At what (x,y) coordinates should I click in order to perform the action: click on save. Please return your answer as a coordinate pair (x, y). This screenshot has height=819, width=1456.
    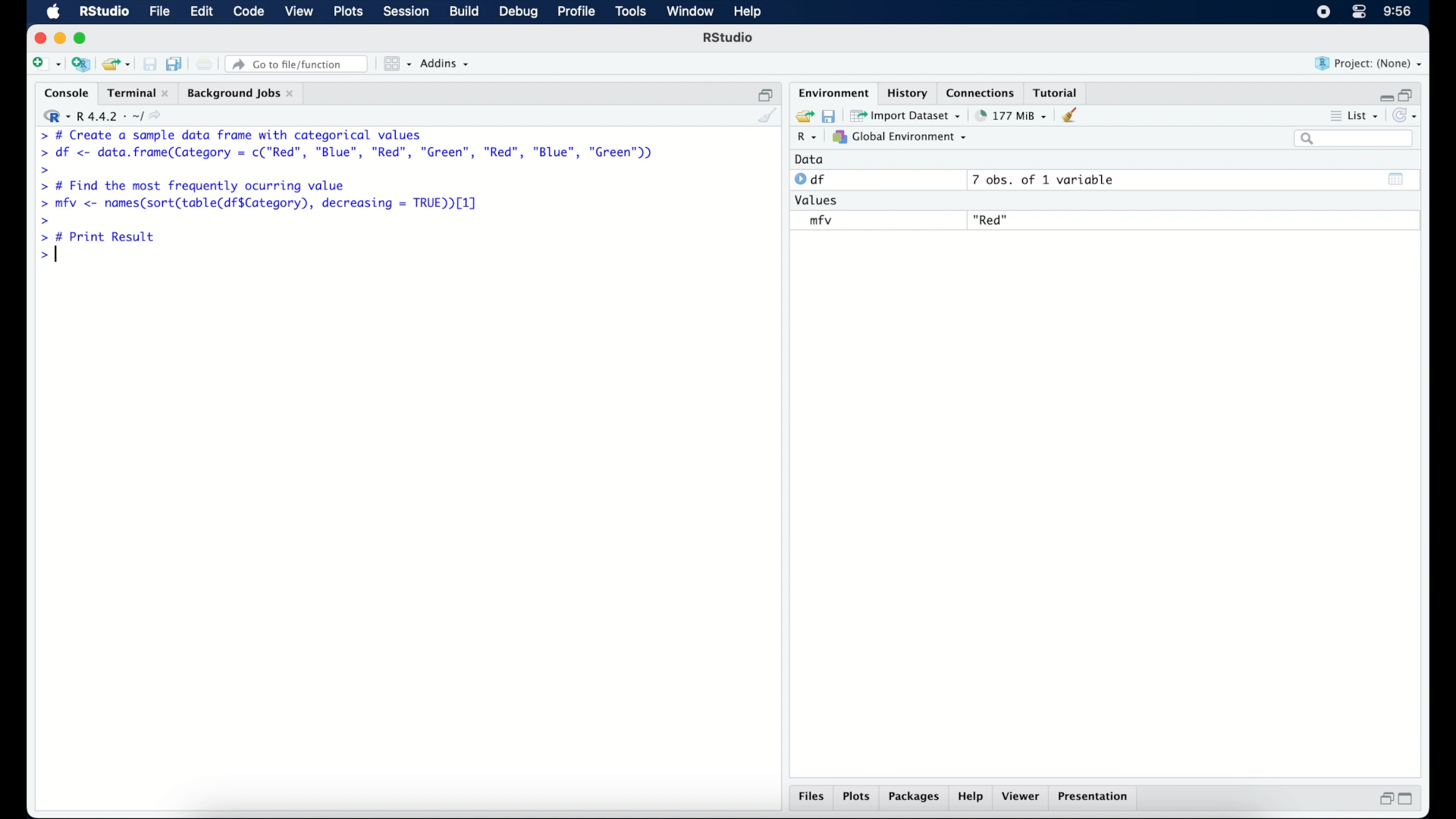
    Looking at the image, I should click on (147, 61).